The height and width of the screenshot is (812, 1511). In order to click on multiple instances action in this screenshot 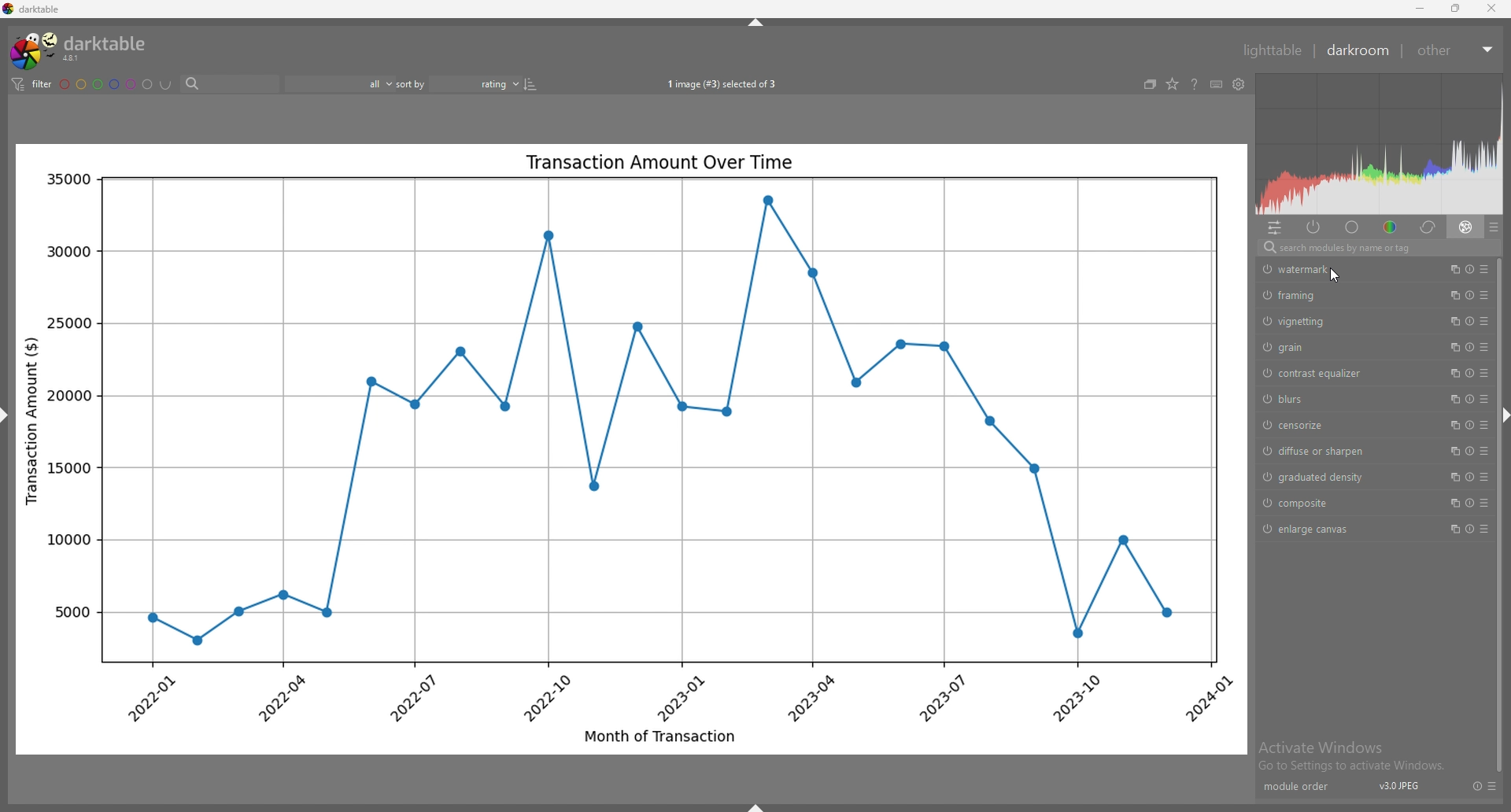, I will do `click(1451, 269)`.